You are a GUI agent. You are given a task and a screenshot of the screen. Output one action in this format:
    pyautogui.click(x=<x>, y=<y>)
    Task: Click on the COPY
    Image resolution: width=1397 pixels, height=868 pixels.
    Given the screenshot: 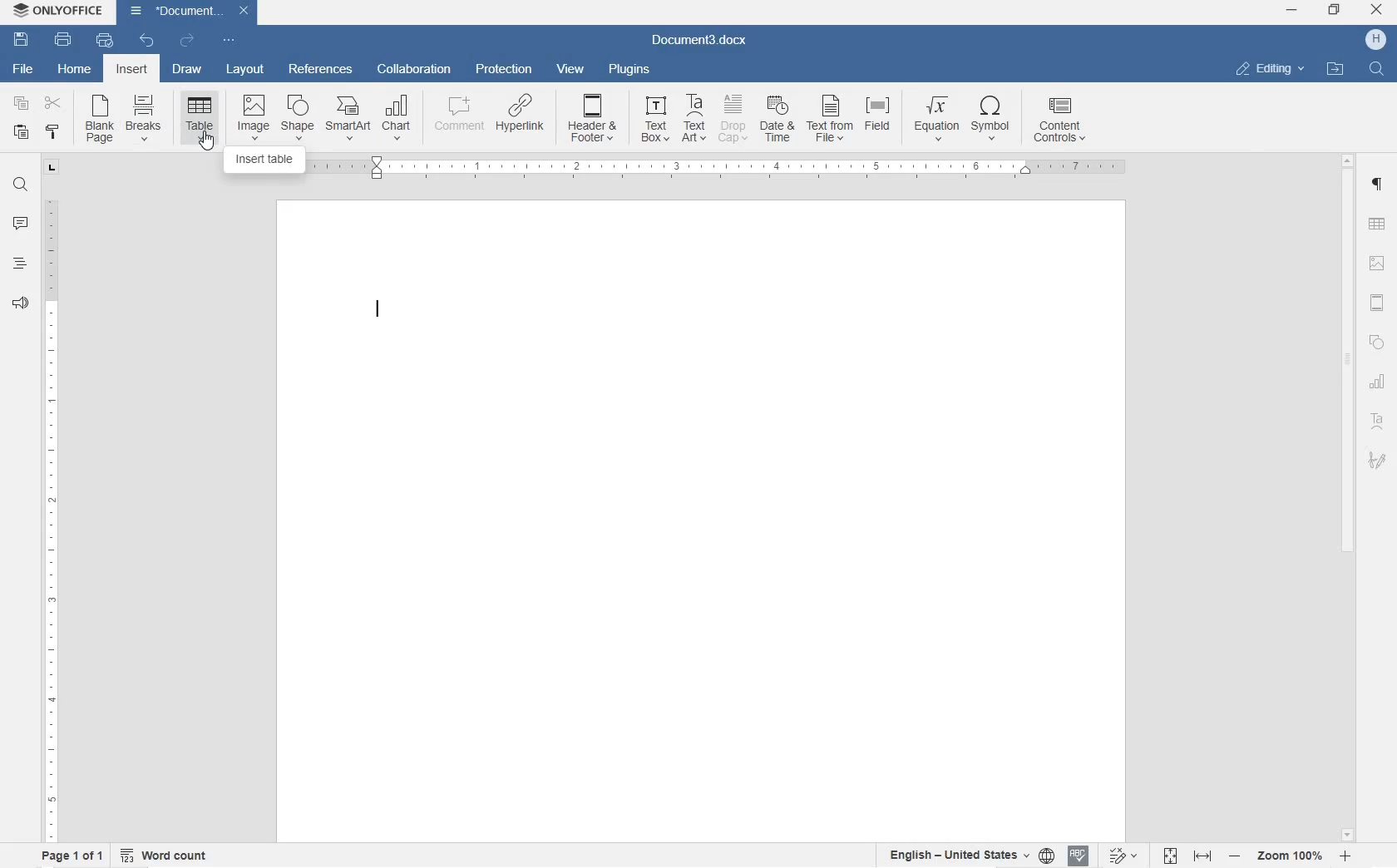 What is the action you would take?
    pyautogui.click(x=19, y=103)
    